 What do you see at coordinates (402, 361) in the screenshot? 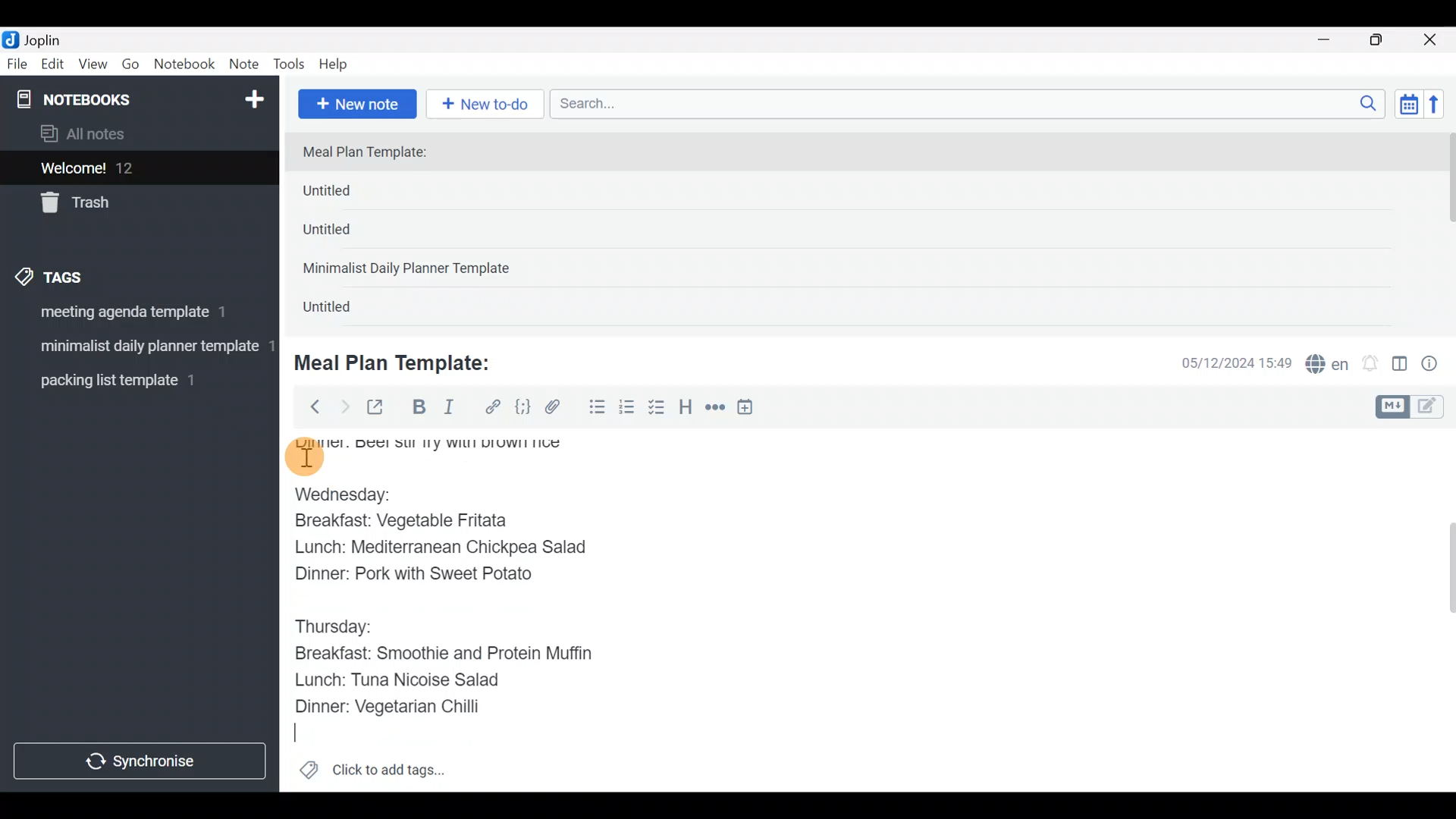
I see `Meal Plan Template:` at bounding box center [402, 361].